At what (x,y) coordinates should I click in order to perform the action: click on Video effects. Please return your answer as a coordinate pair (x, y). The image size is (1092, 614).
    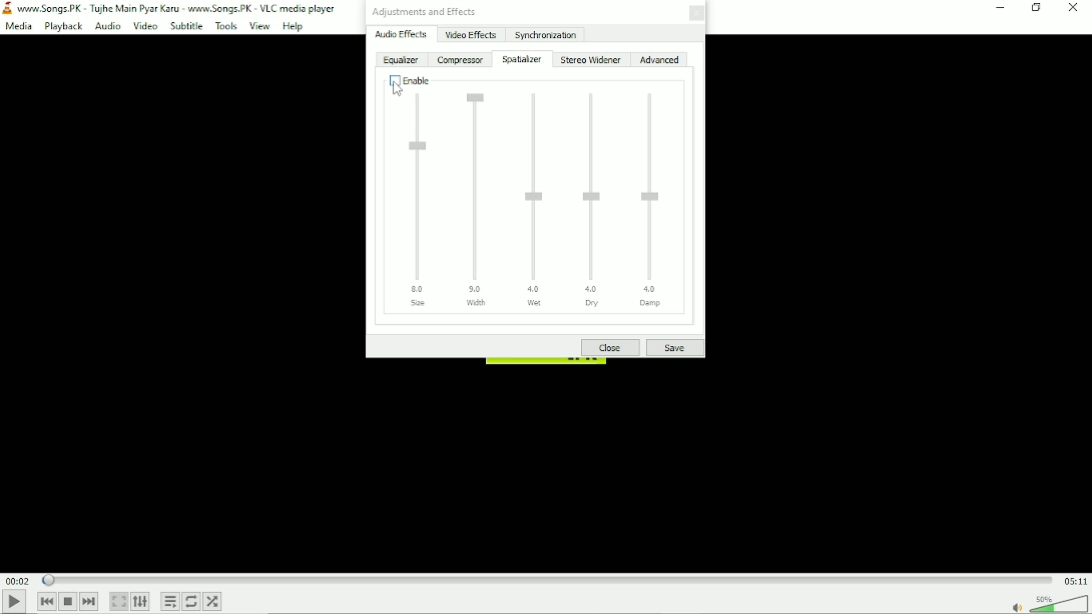
    Looking at the image, I should click on (470, 35).